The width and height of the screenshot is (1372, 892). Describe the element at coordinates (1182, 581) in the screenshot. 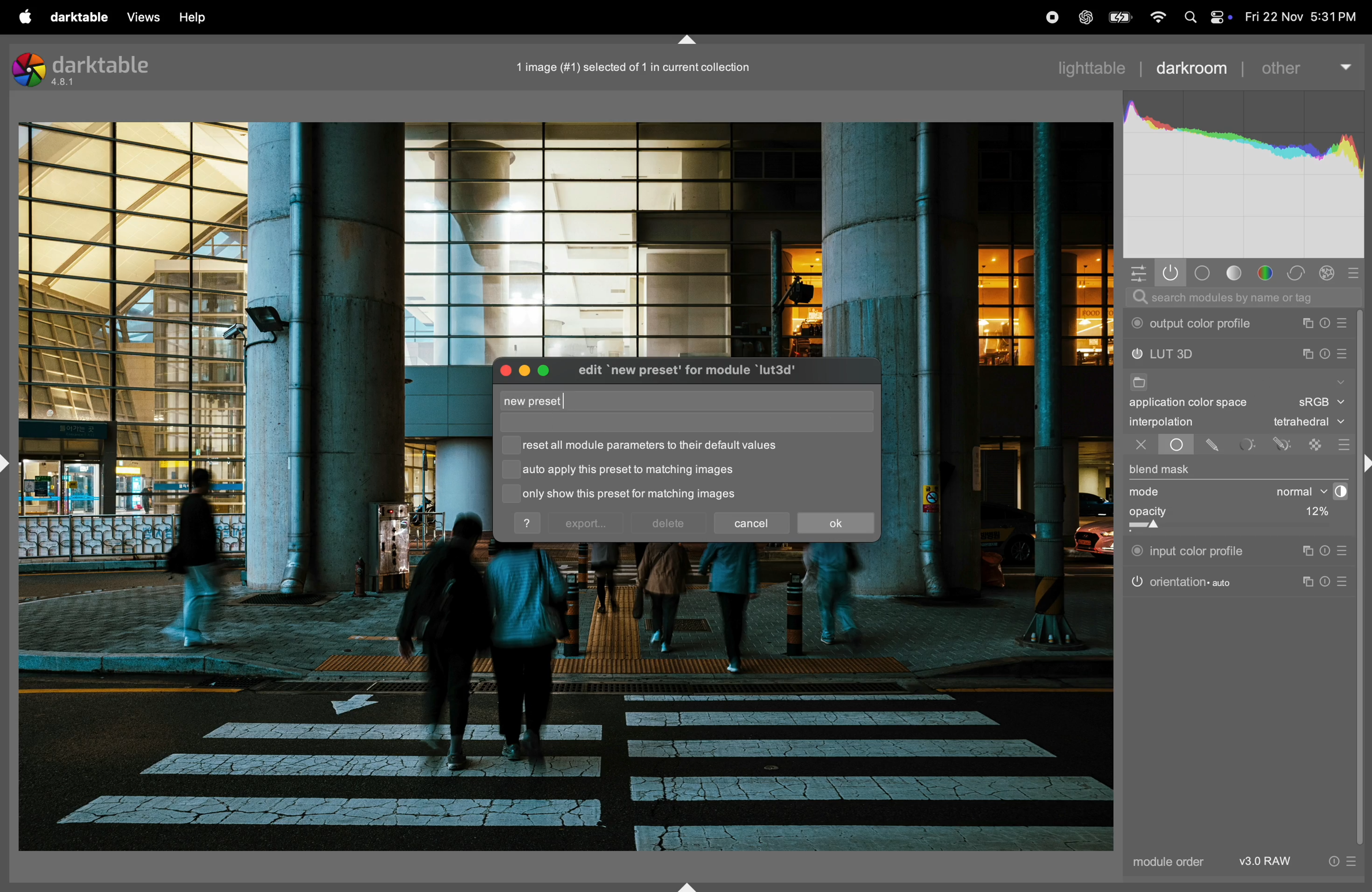

I see `orientation` at that location.